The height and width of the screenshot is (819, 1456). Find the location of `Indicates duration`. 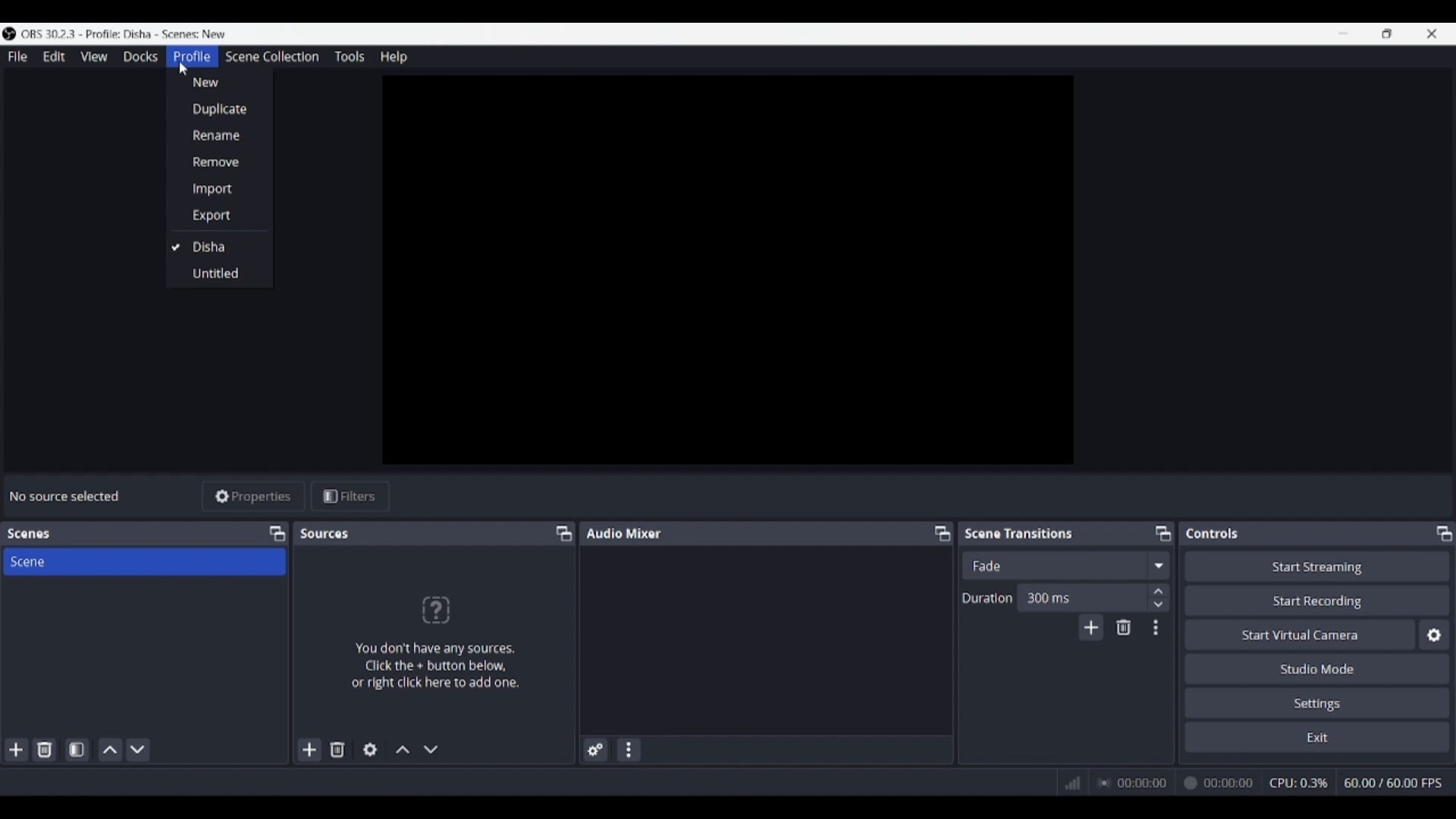

Indicates duration is located at coordinates (987, 598).